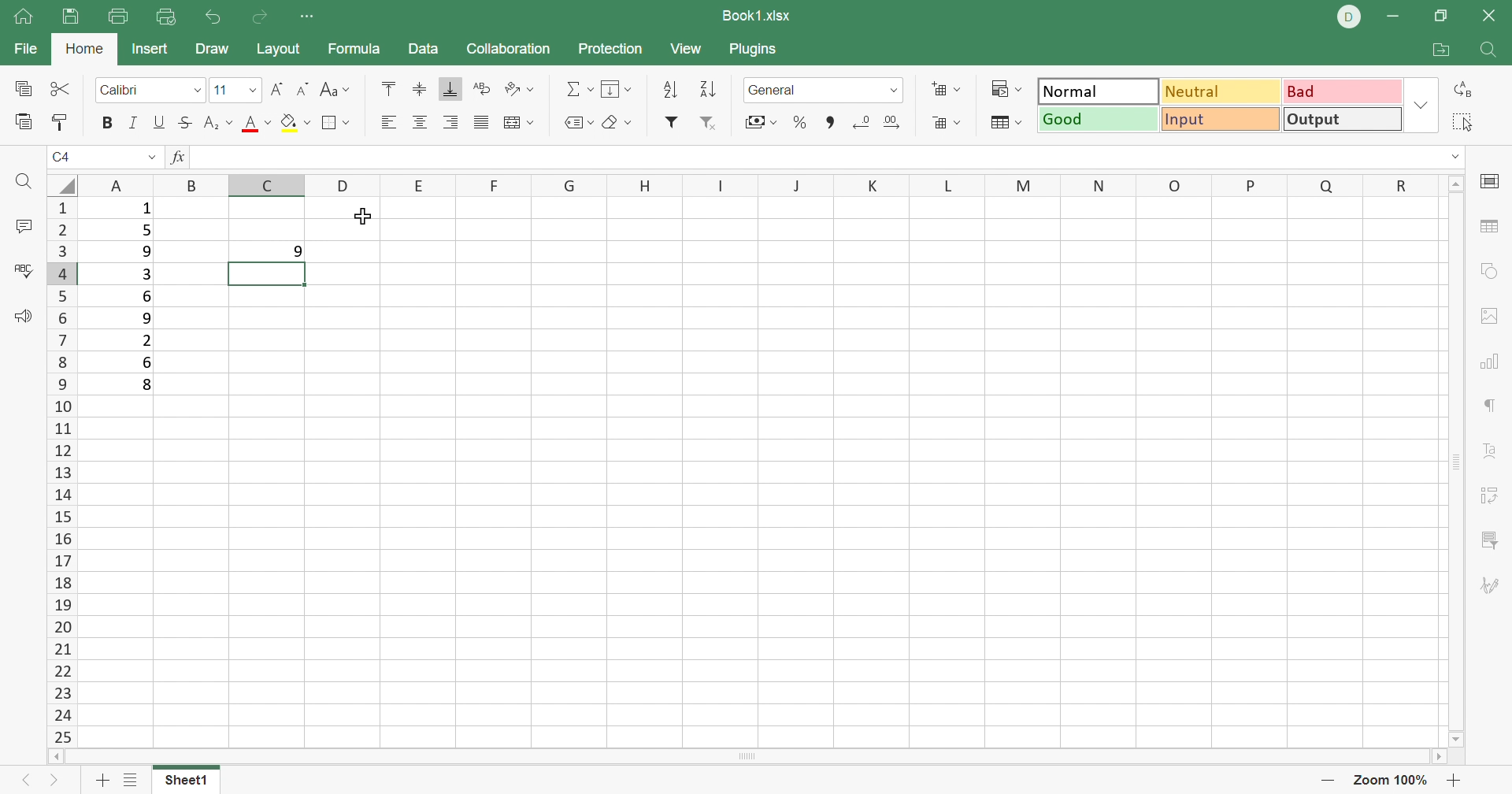 The image size is (1512, 794). I want to click on Draw, so click(215, 46).